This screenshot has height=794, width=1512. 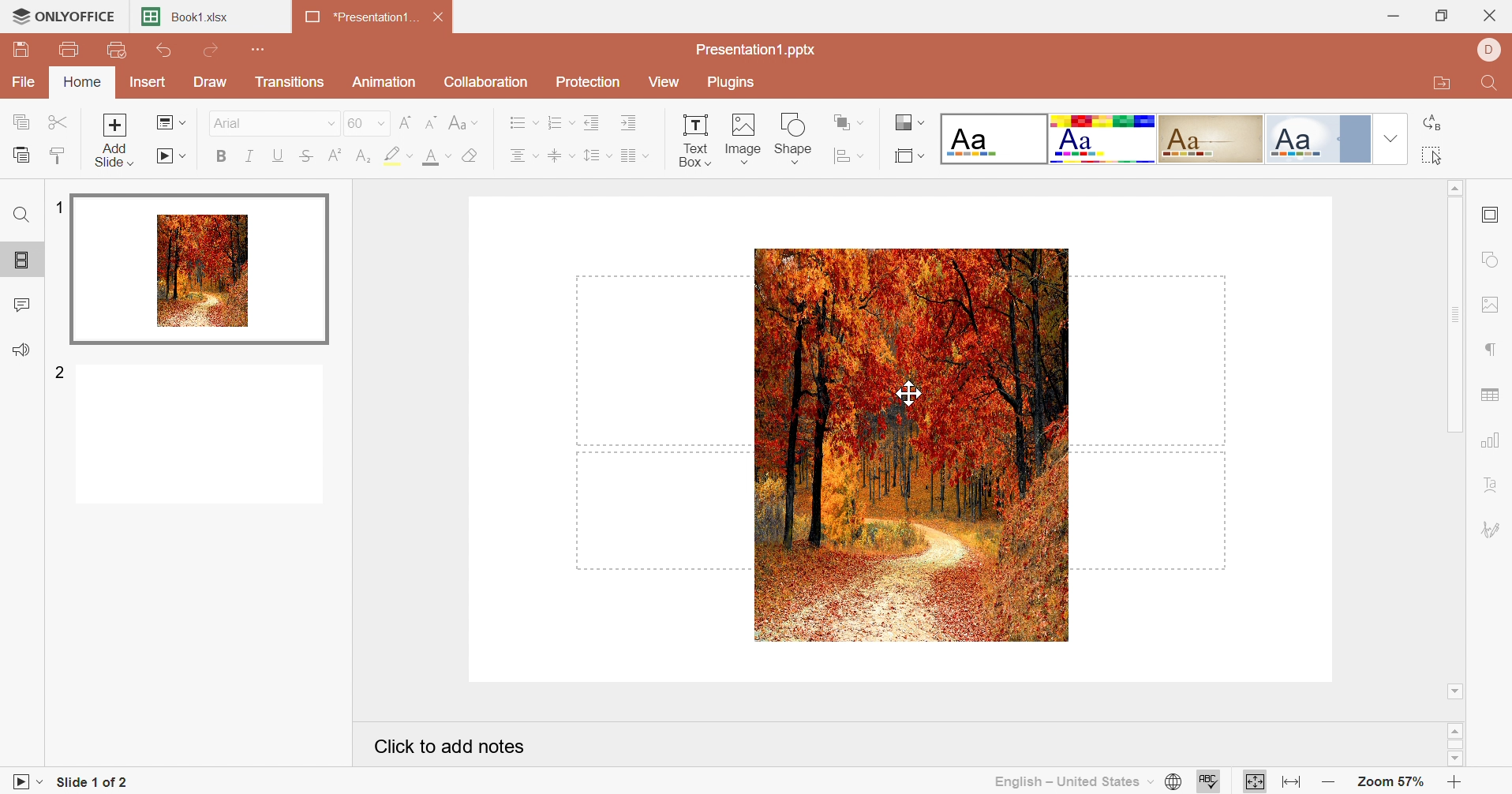 I want to click on Plugins, so click(x=735, y=83).